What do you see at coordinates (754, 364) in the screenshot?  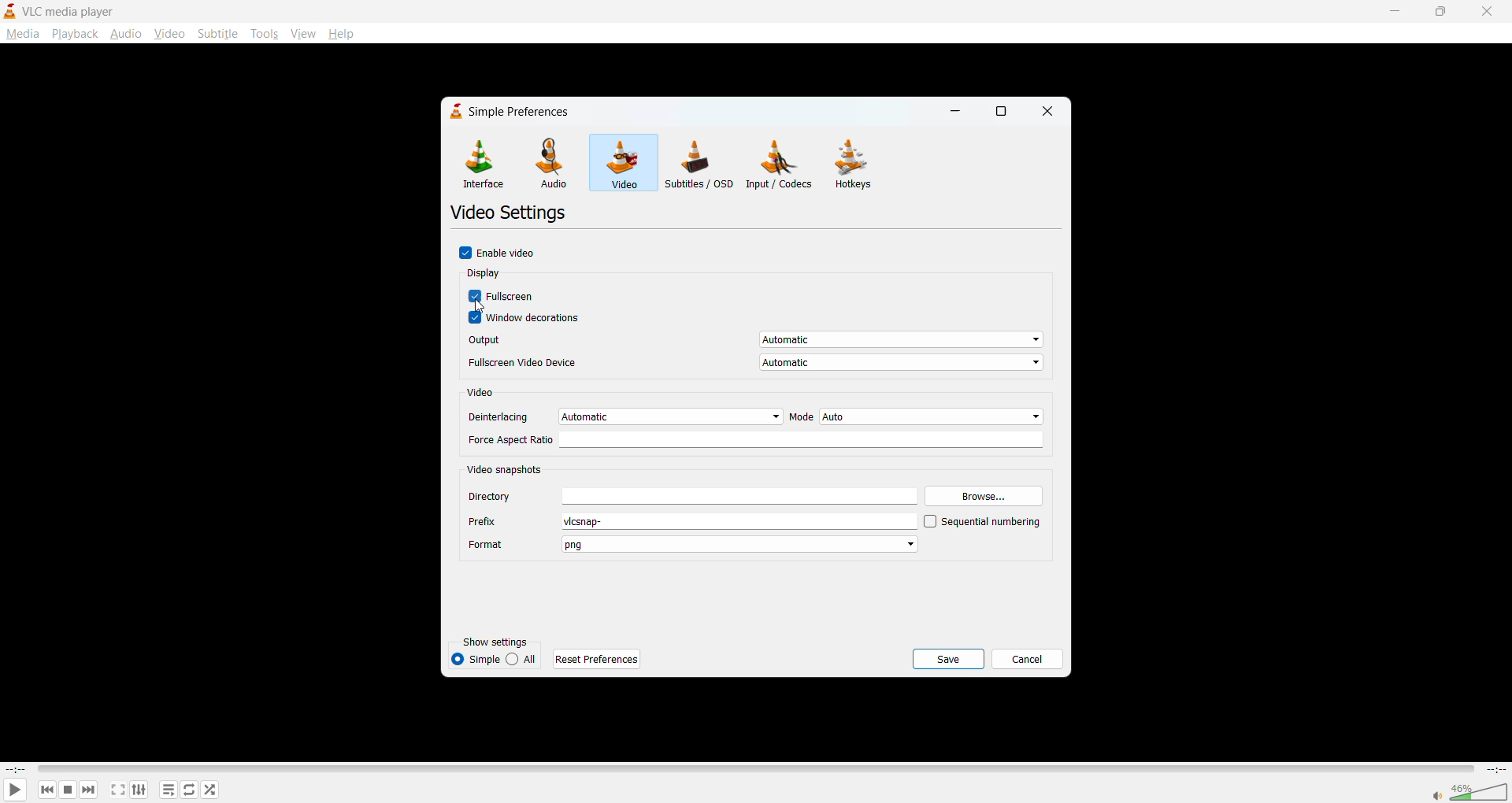 I see `fullscreen video device` at bounding box center [754, 364].